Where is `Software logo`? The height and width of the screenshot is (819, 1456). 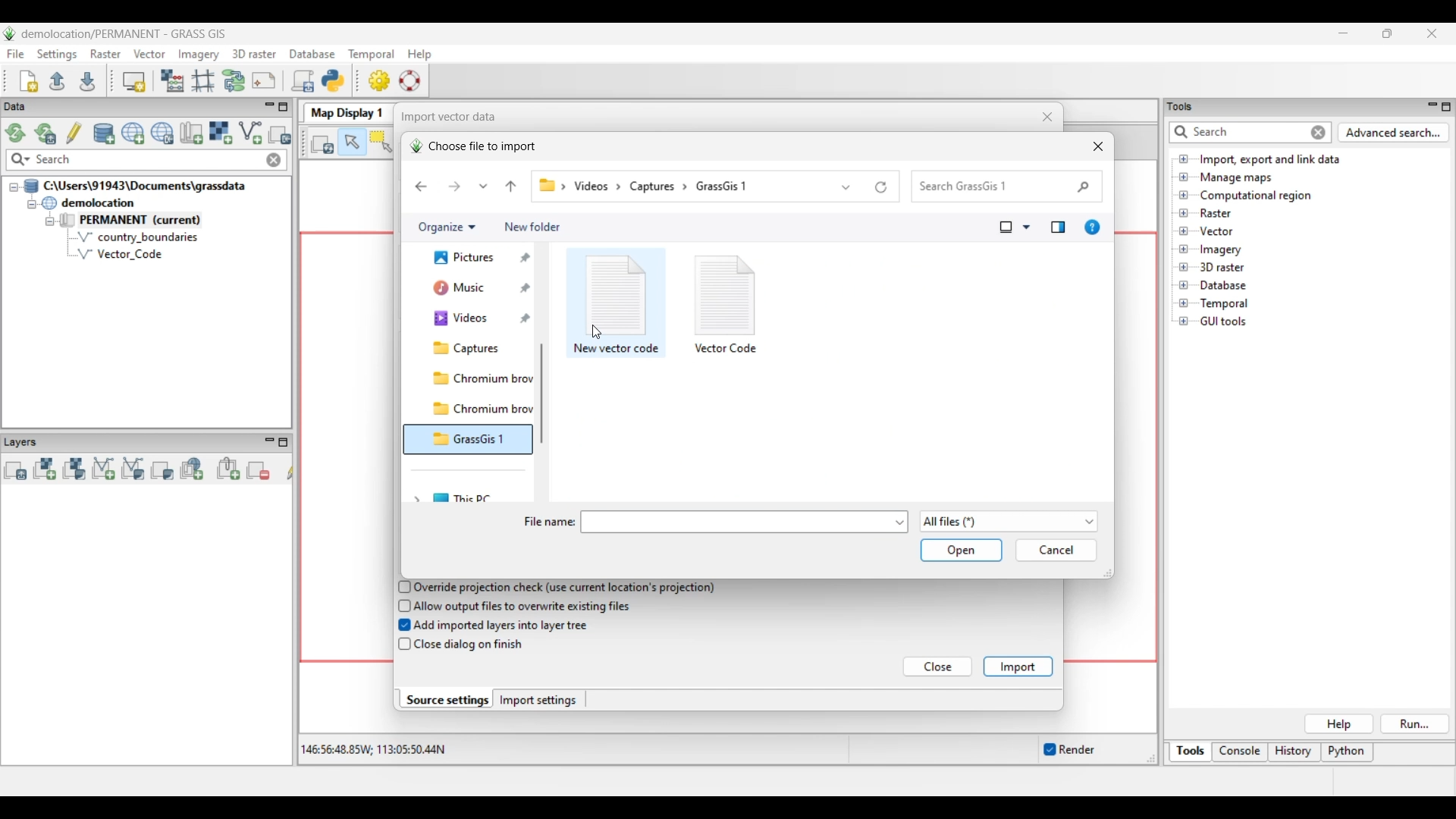 Software logo is located at coordinates (10, 33).